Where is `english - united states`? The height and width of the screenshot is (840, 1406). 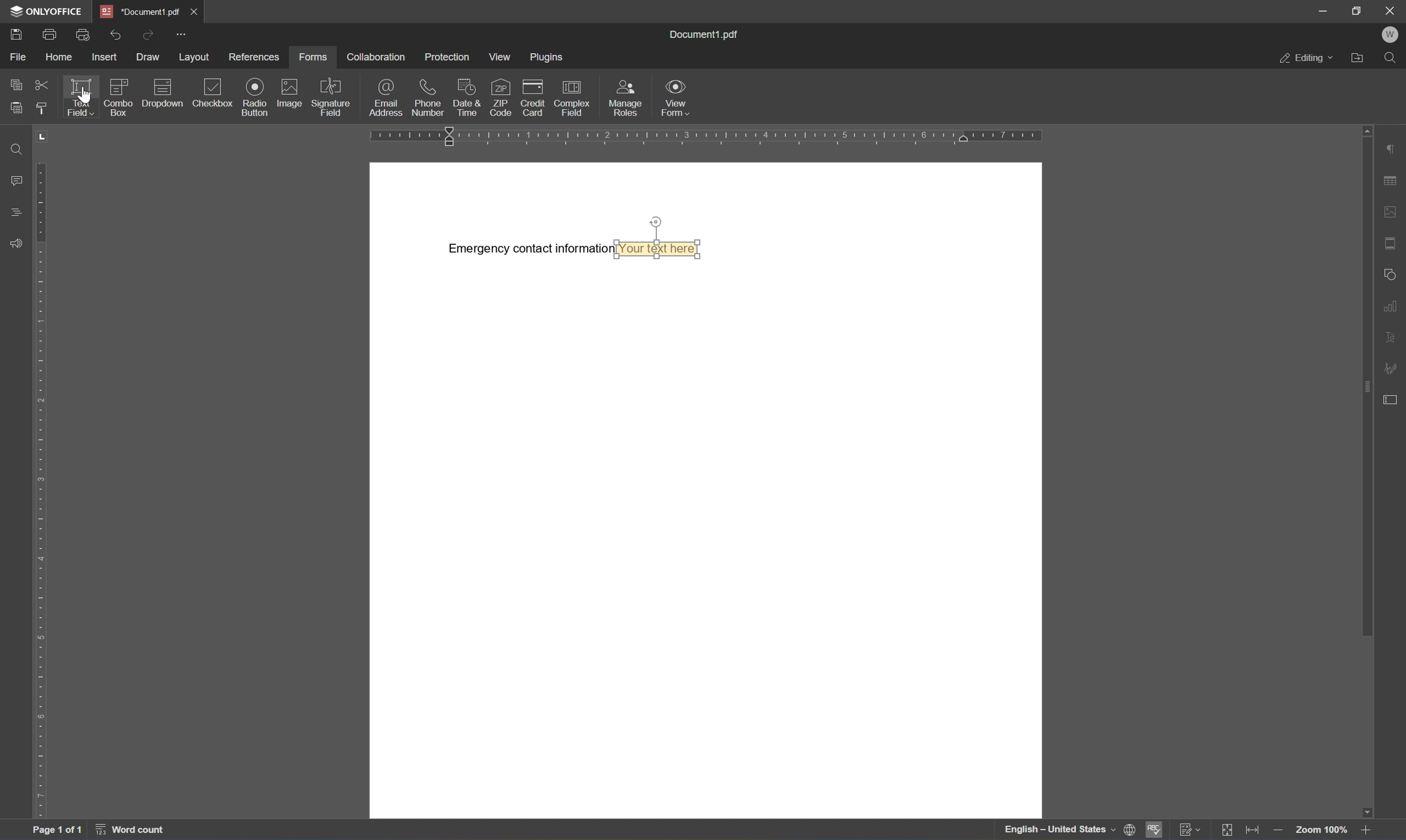
english - united states is located at coordinates (1041, 826).